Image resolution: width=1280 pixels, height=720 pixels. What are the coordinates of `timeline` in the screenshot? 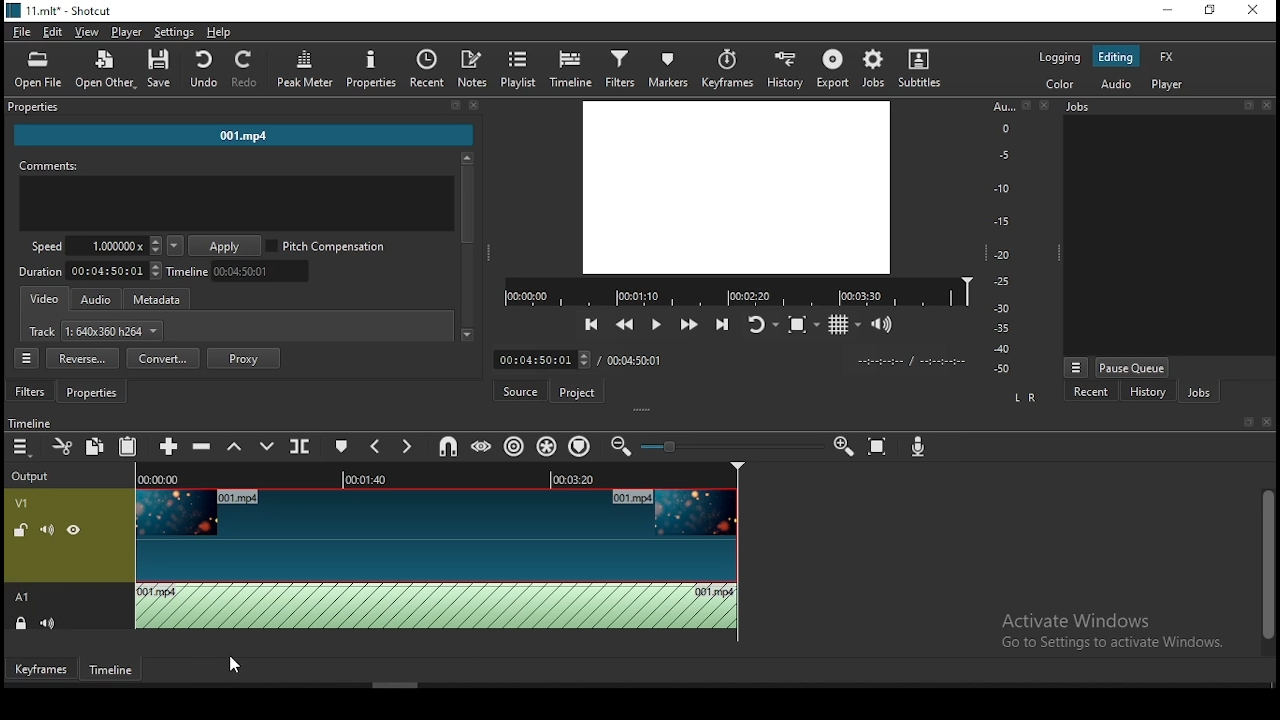 It's located at (115, 669).